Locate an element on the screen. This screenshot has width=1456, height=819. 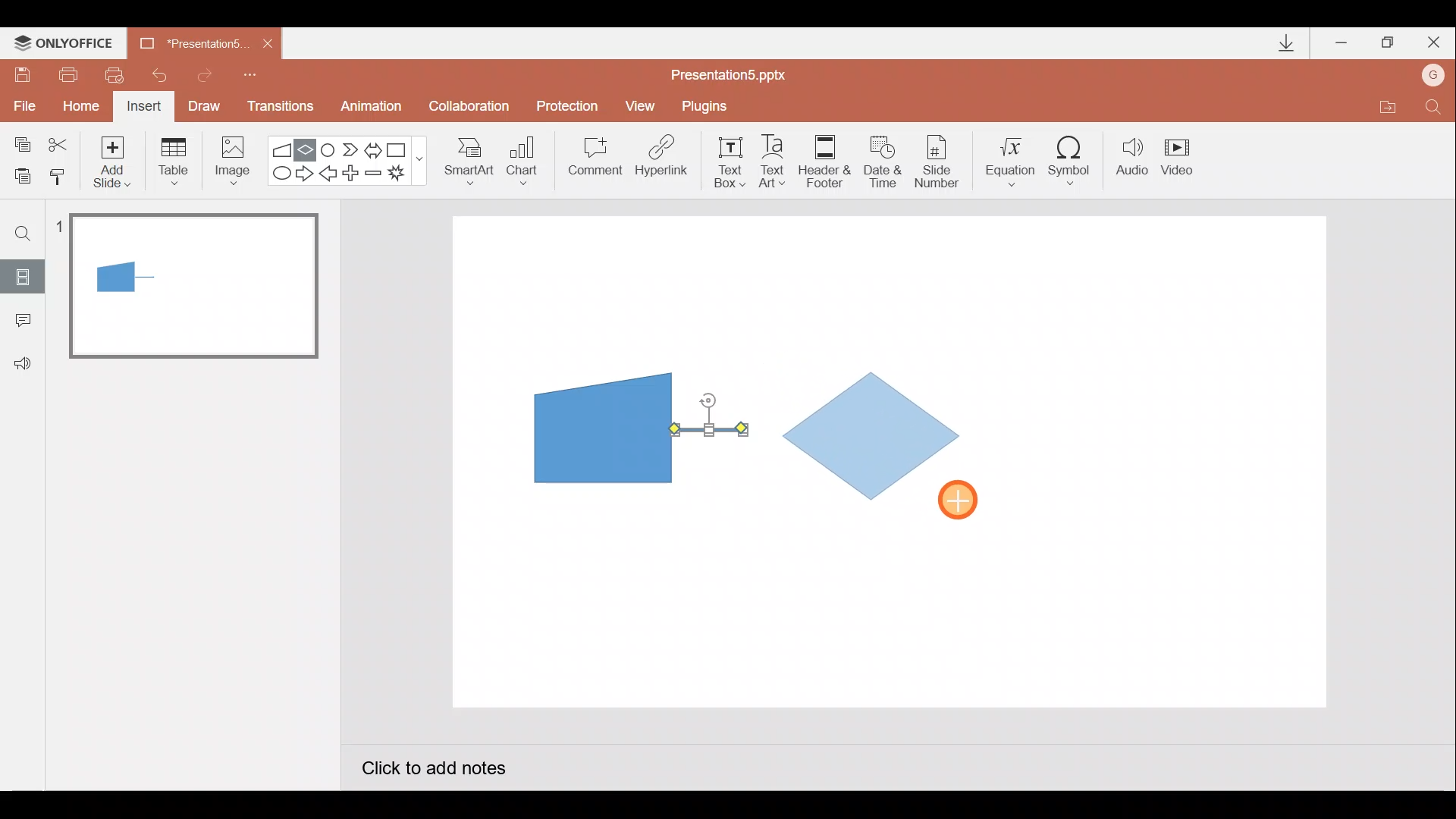
Text box is located at coordinates (725, 160).